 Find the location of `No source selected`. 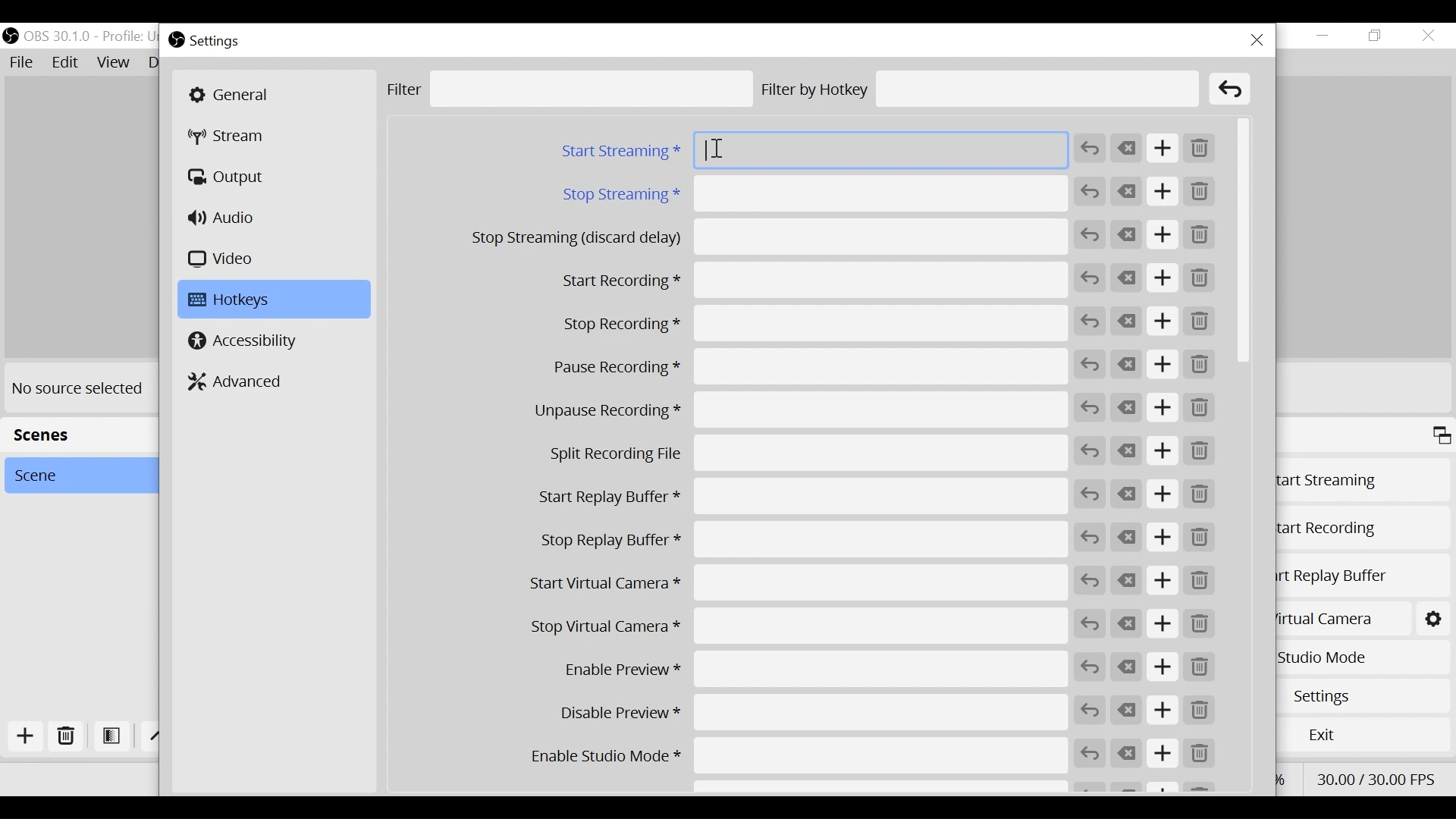

No source selected is located at coordinates (78, 387).